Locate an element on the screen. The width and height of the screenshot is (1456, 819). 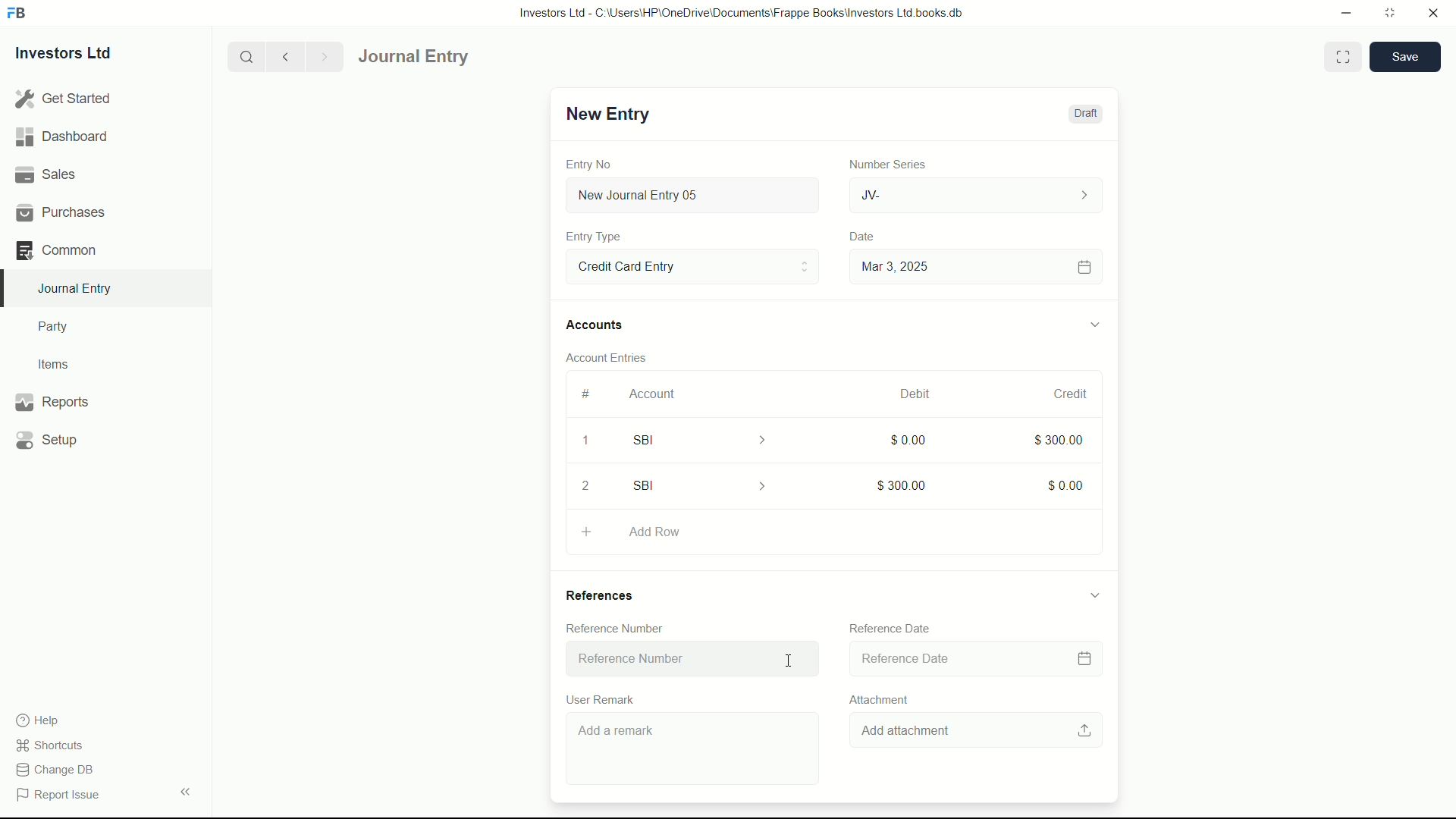
maximize is located at coordinates (1389, 11).